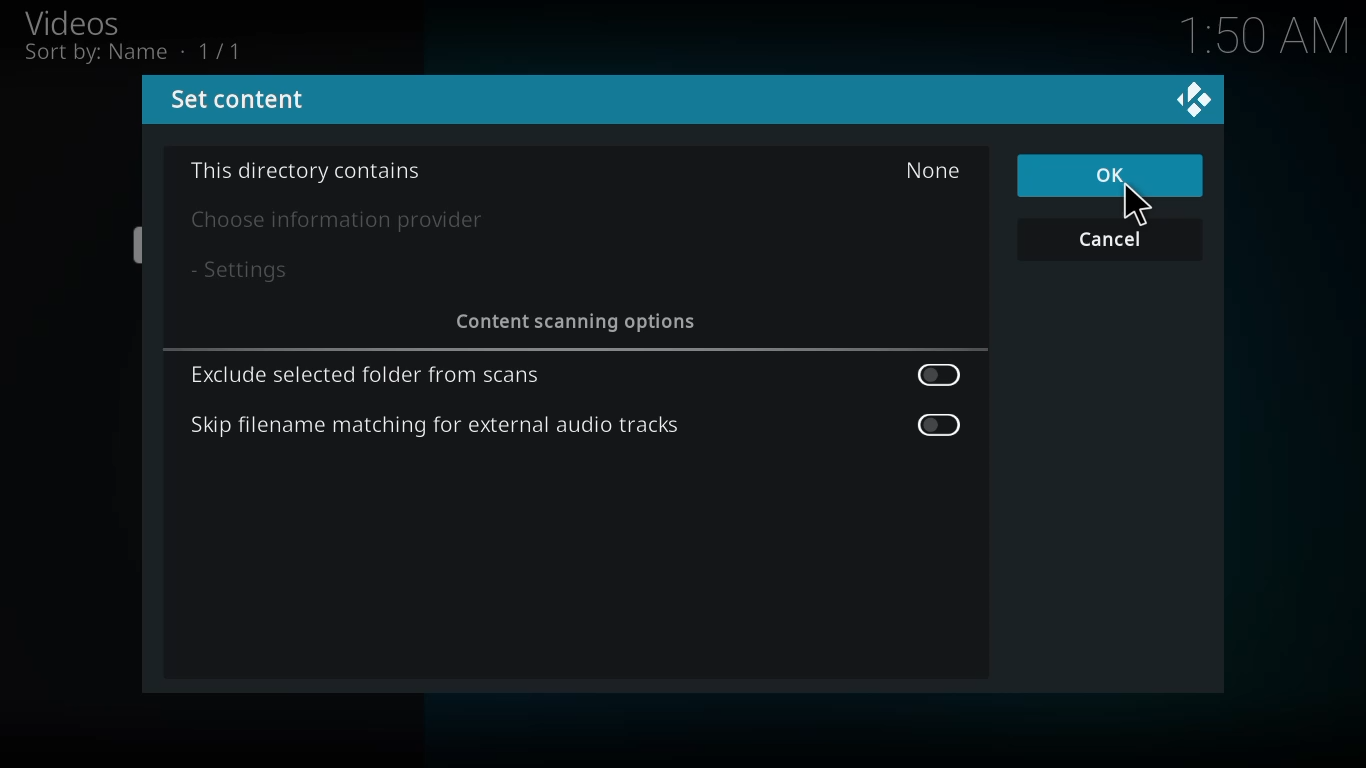 This screenshot has height=768, width=1366. What do you see at coordinates (242, 271) in the screenshot?
I see `settings` at bounding box center [242, 271].